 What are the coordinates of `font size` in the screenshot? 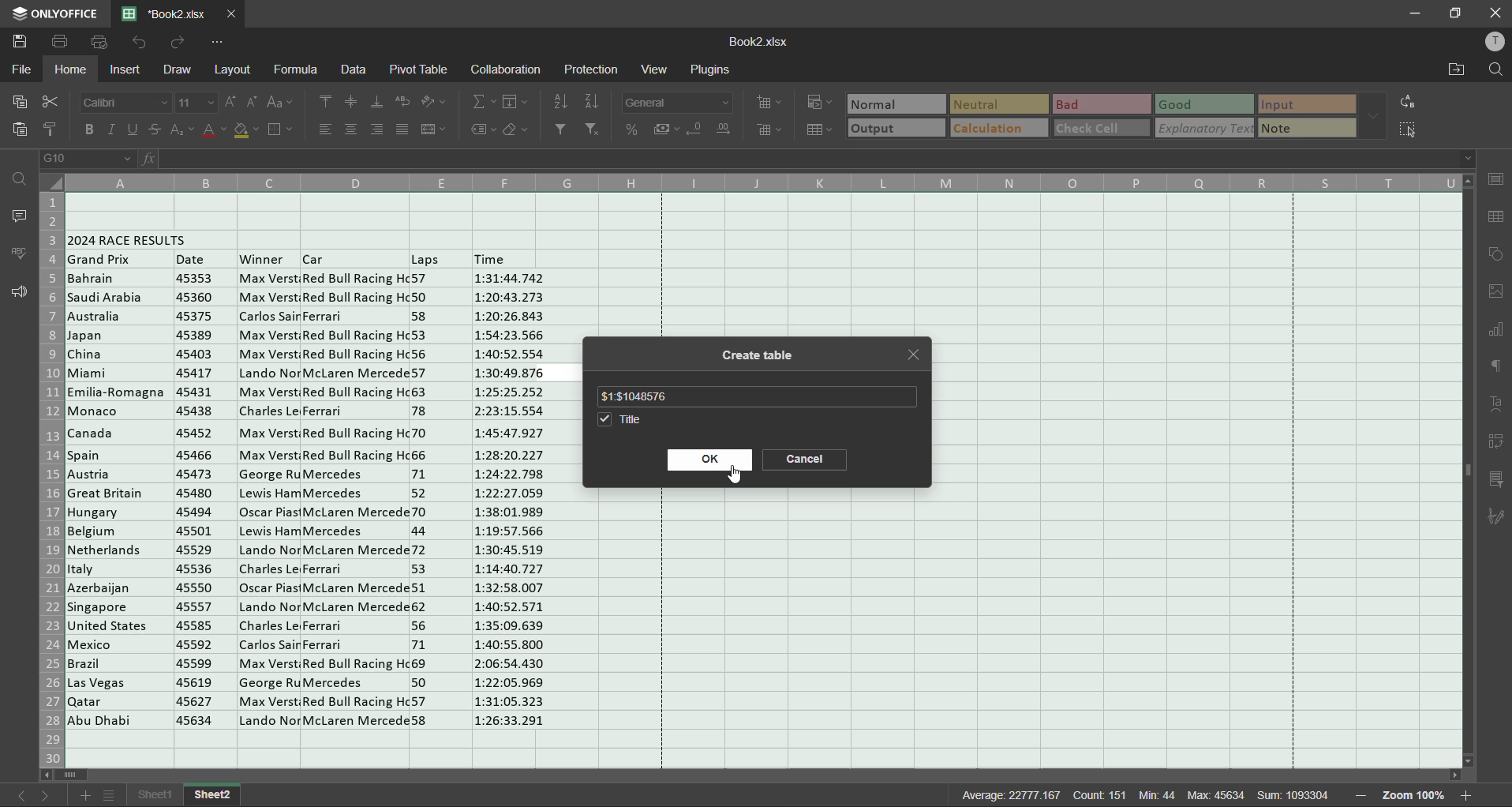 It's located at (194, 101).